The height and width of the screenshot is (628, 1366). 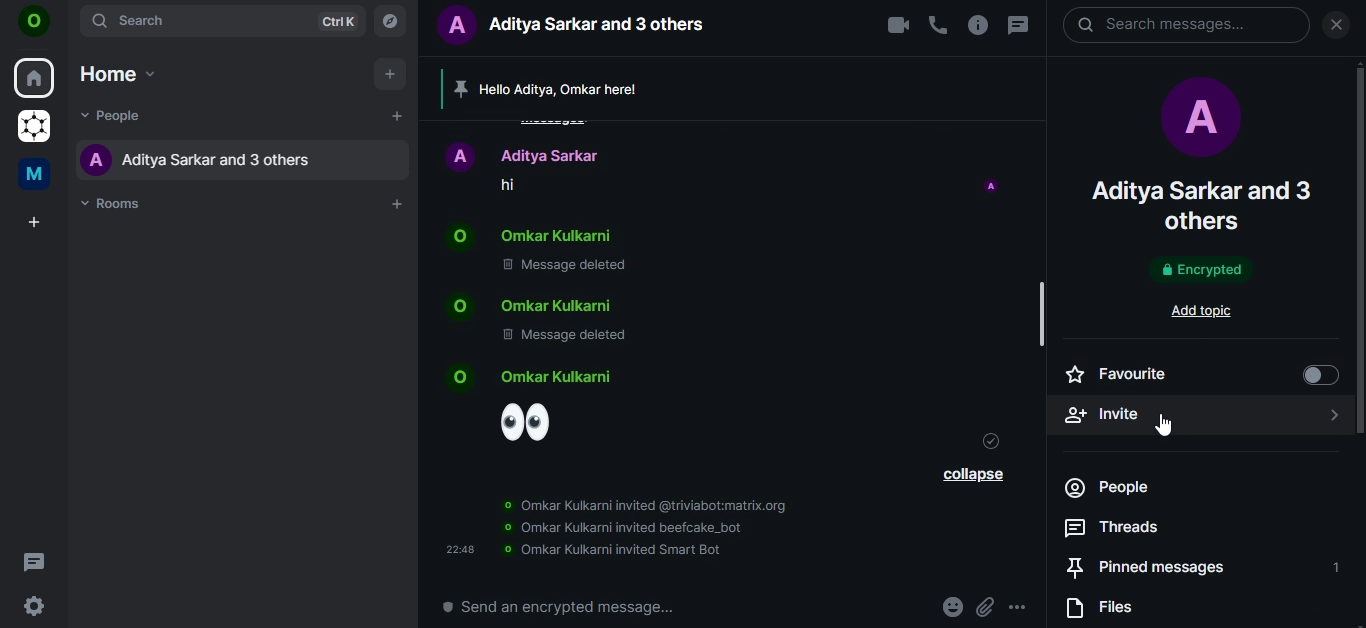 I want to click on voice call, so click(x=938, y=26).